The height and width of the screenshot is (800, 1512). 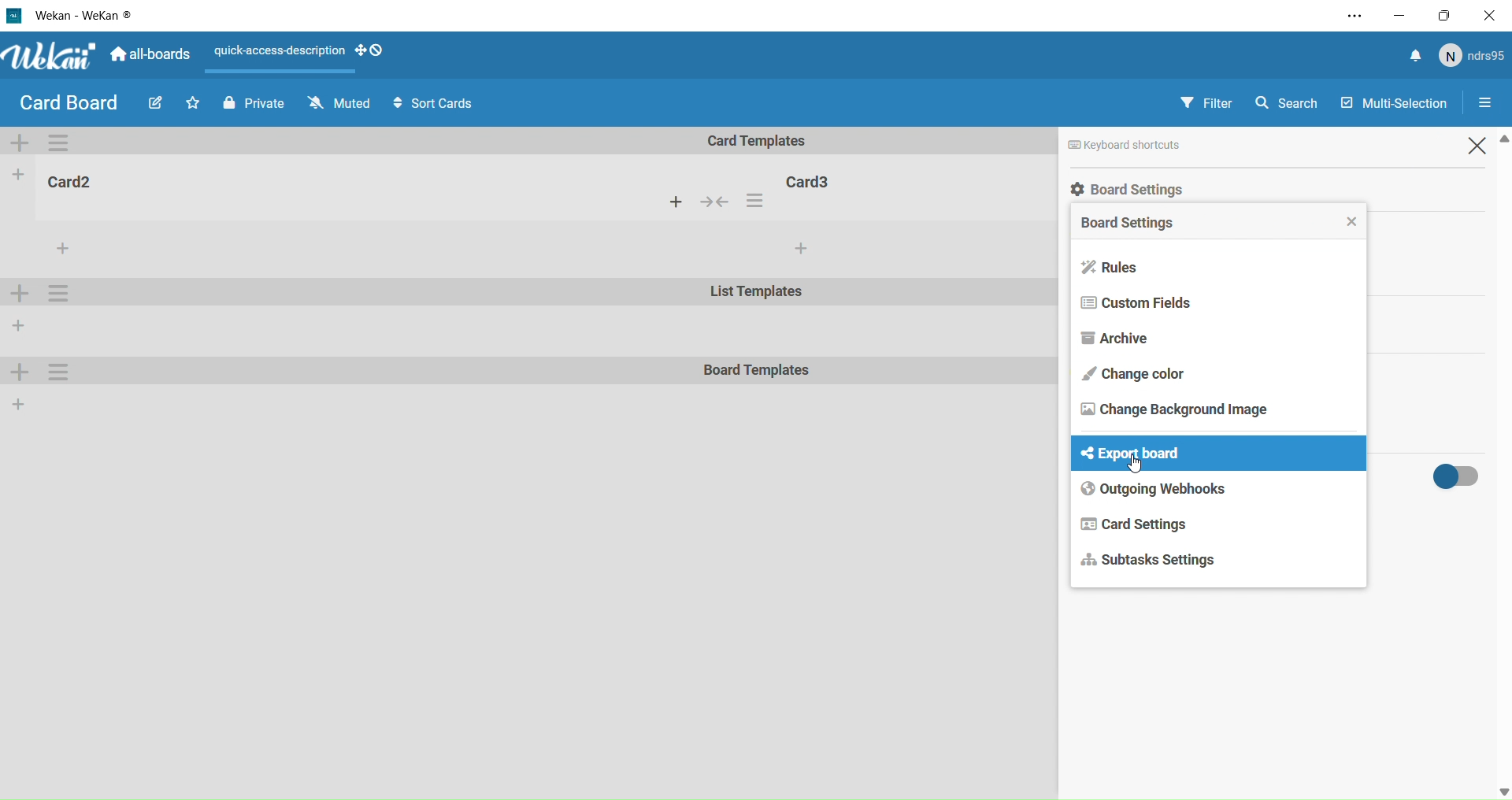 What do you see at coordinates (19, 172) in the screenshot?
I see `` at bounding box center [19, 172].